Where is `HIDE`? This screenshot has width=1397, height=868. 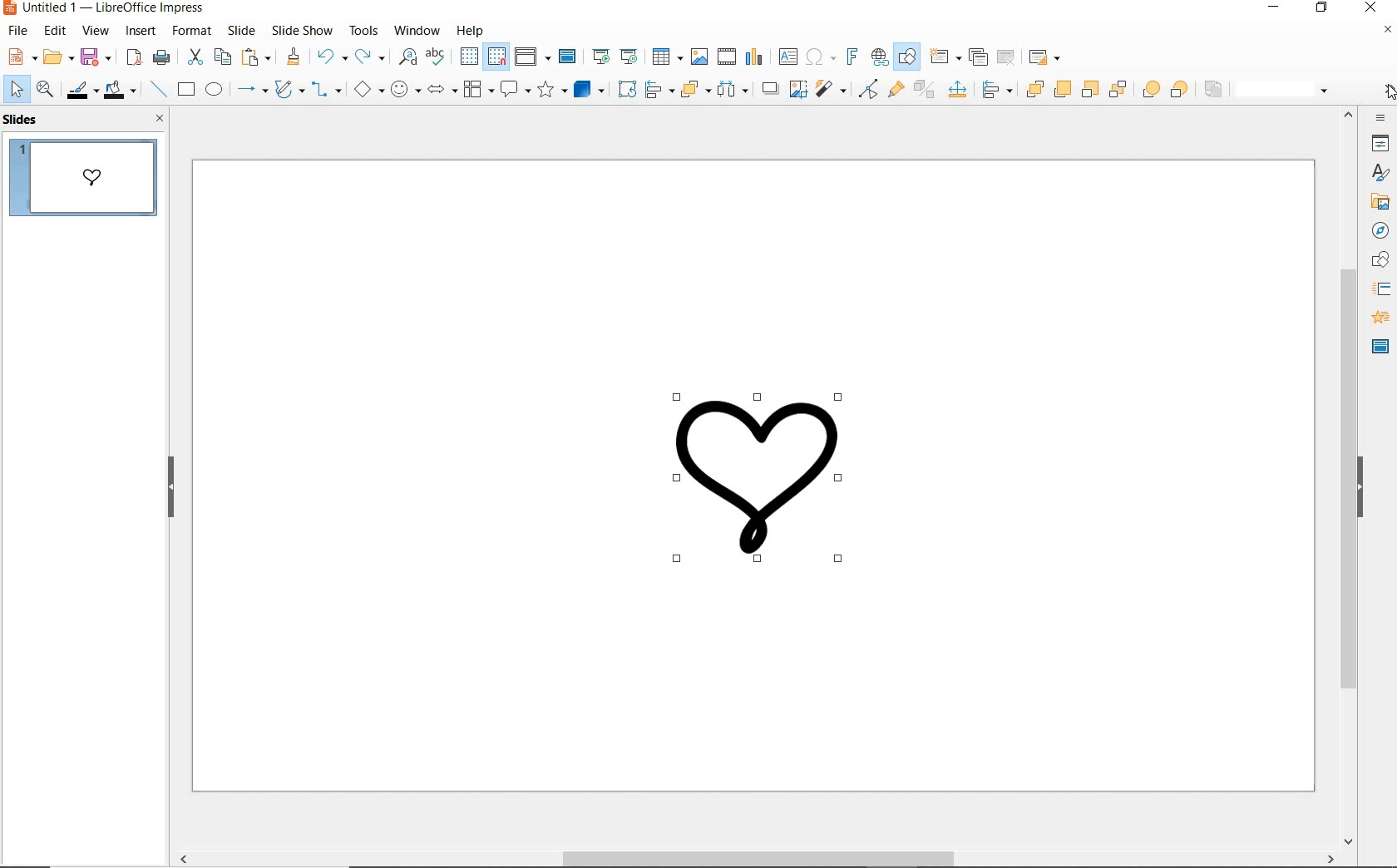 HIDE is located at coordinates (171, 489).